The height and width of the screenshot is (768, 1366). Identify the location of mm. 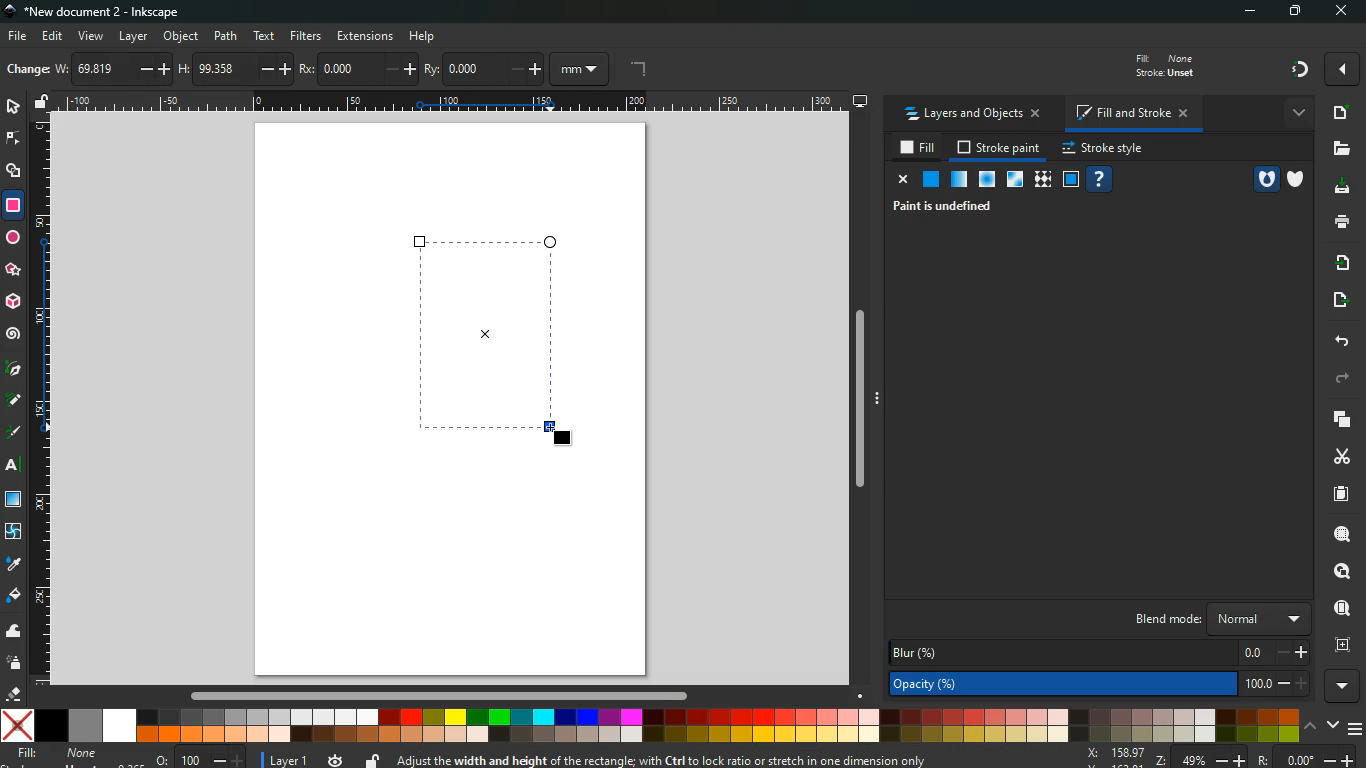
(578, 69).